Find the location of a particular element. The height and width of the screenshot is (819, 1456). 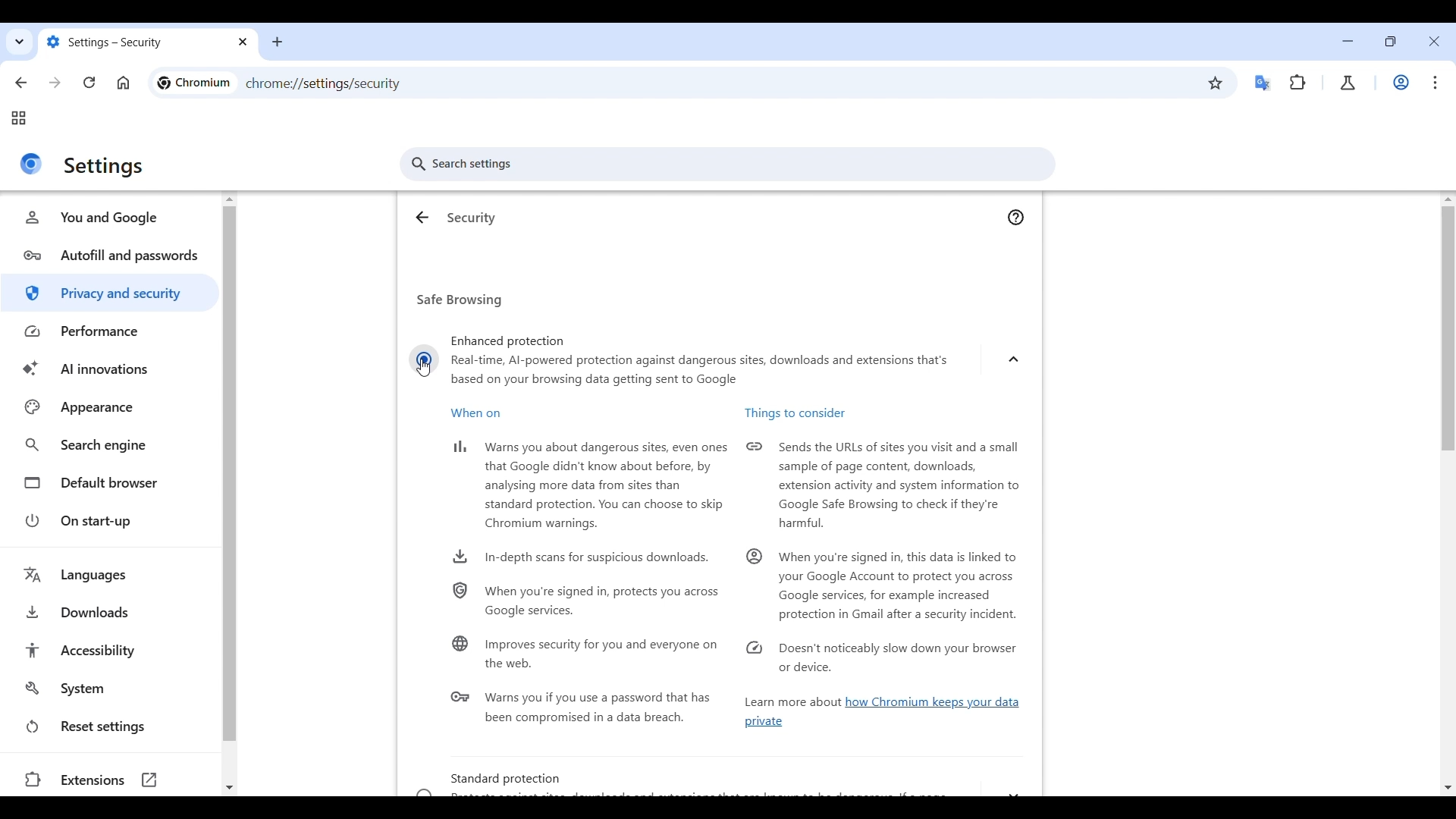

chromium is located at coordinates (193, 83).